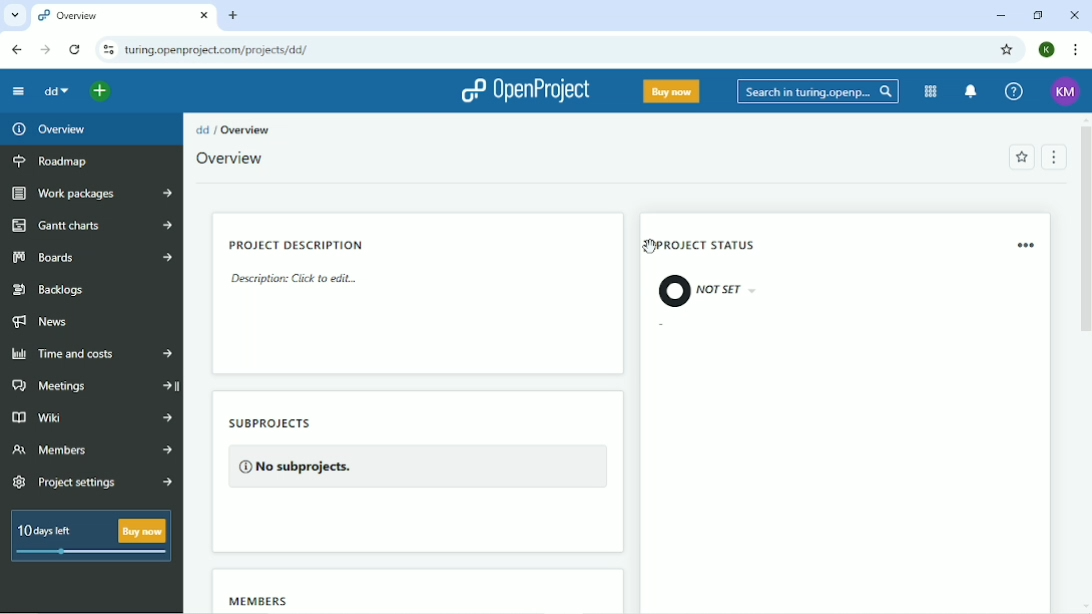  Describe the element at coordinates (92, 482) in the screenshot. I see `Project settings` at that location.